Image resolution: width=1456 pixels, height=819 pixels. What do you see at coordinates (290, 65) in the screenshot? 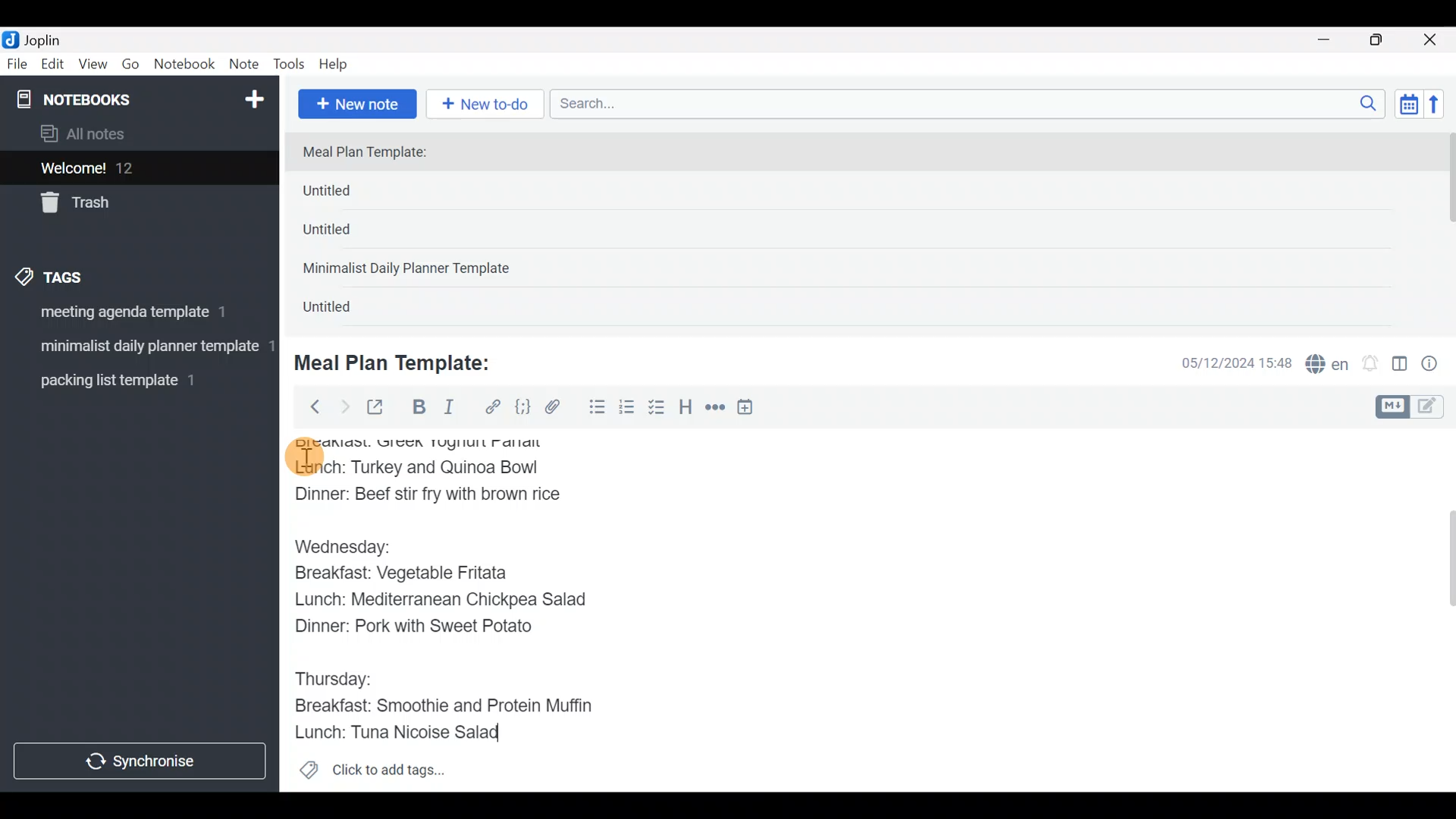
I see `Tools` at bounding box center [290, 65].